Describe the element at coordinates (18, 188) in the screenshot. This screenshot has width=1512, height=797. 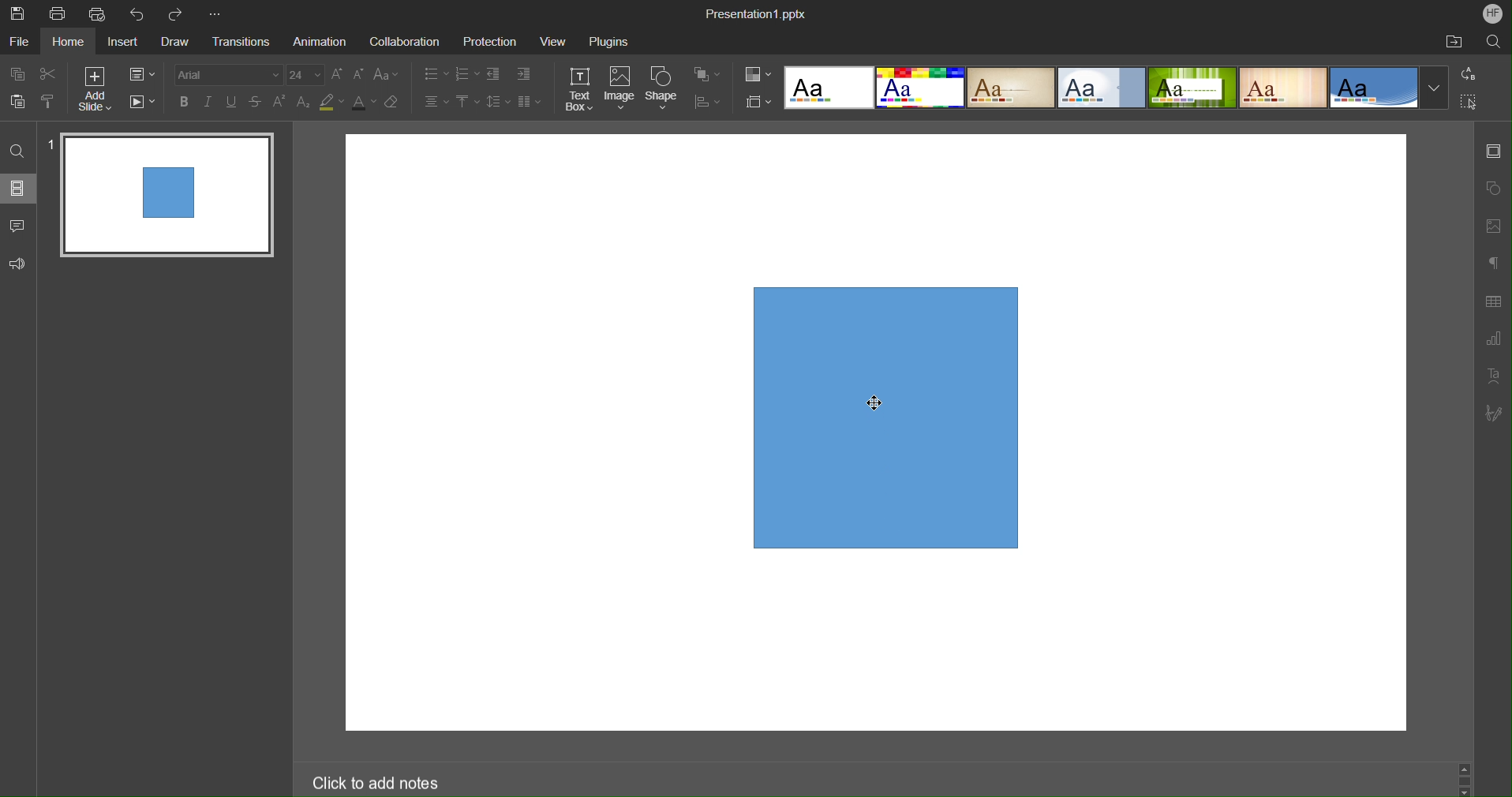
I see `Slides` at that location.